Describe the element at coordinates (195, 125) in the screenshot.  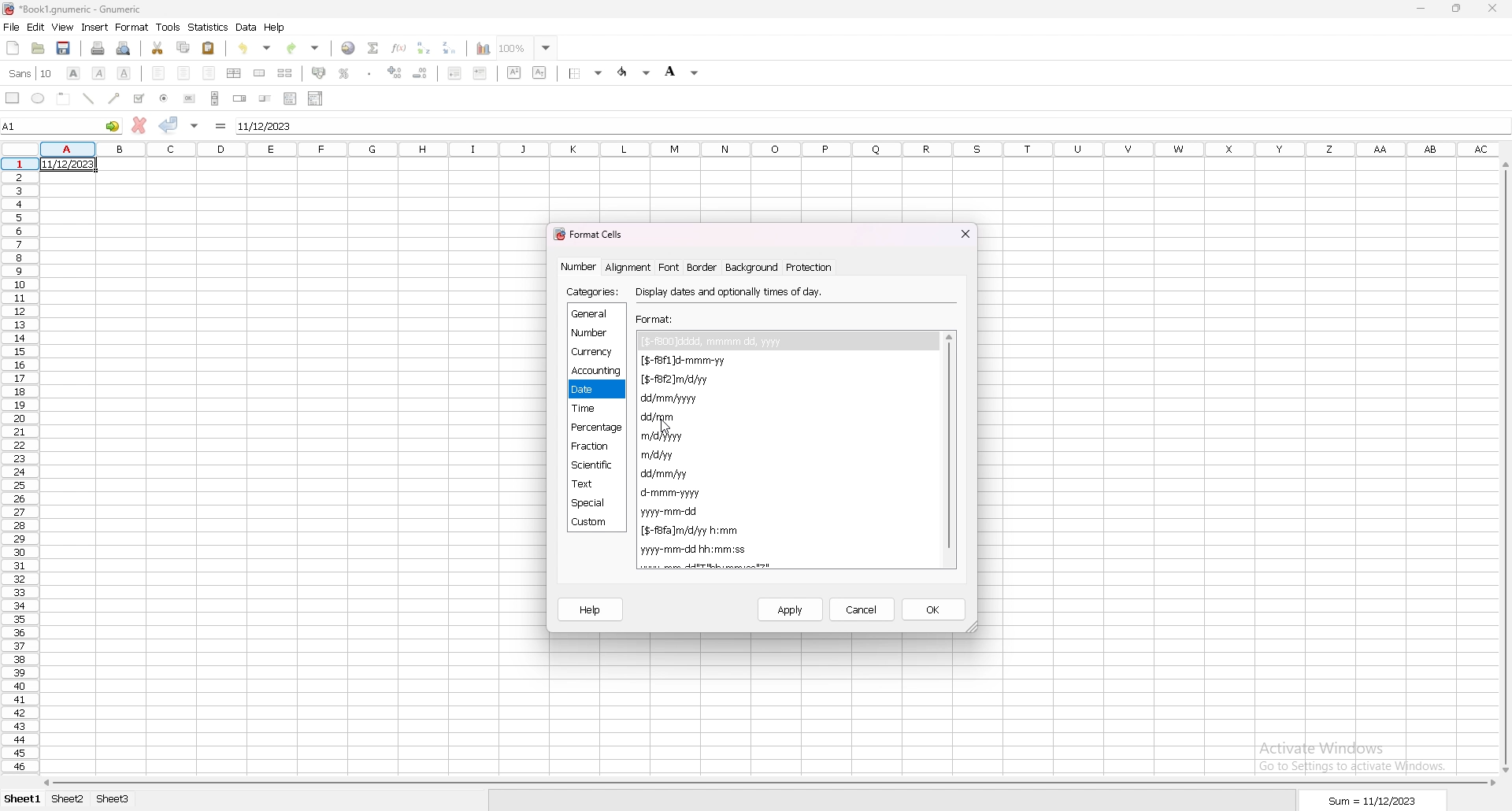
I see `accept changes in all cells` at that location.